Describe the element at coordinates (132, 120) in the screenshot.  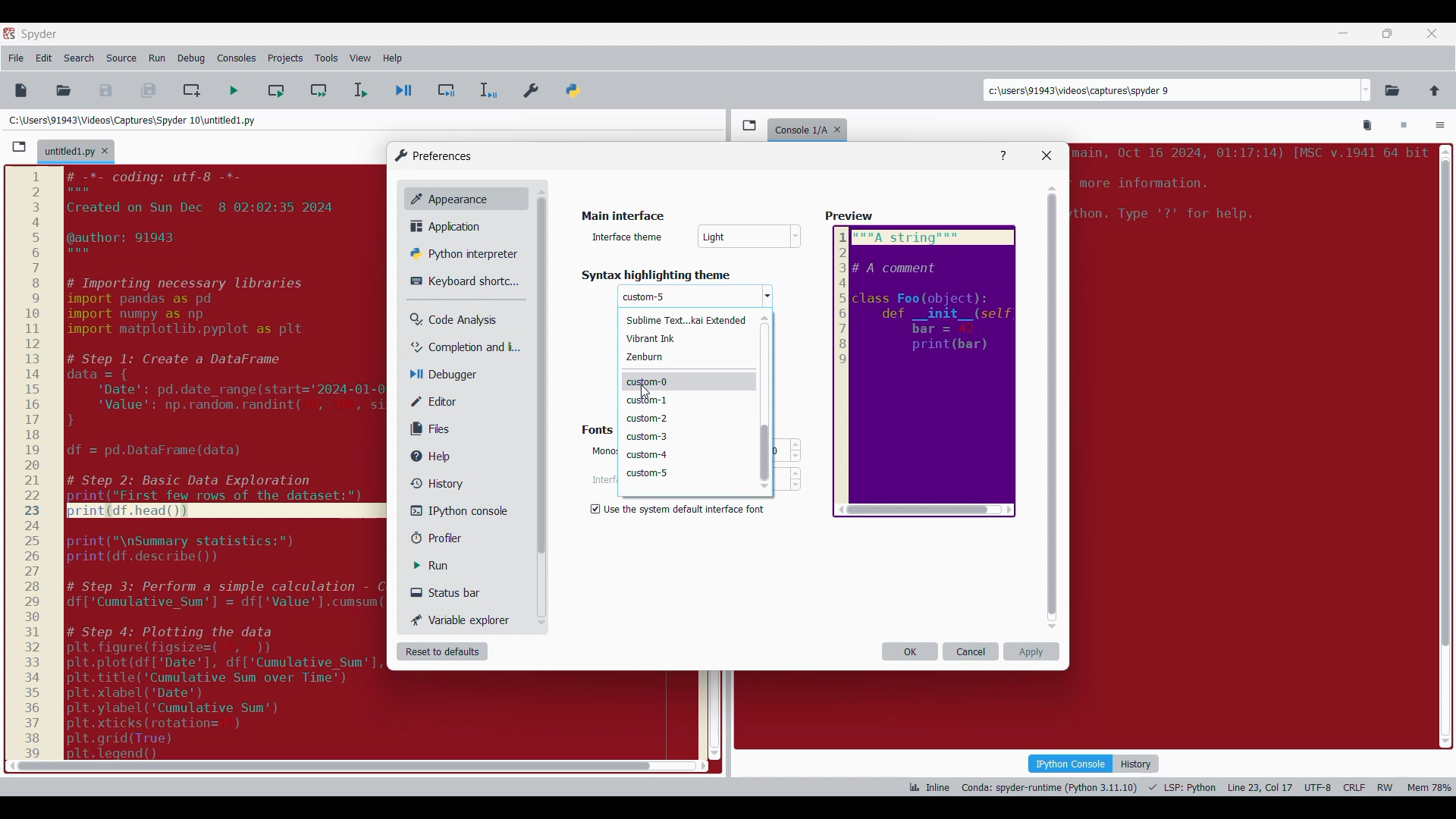
I see `File location` at that location.